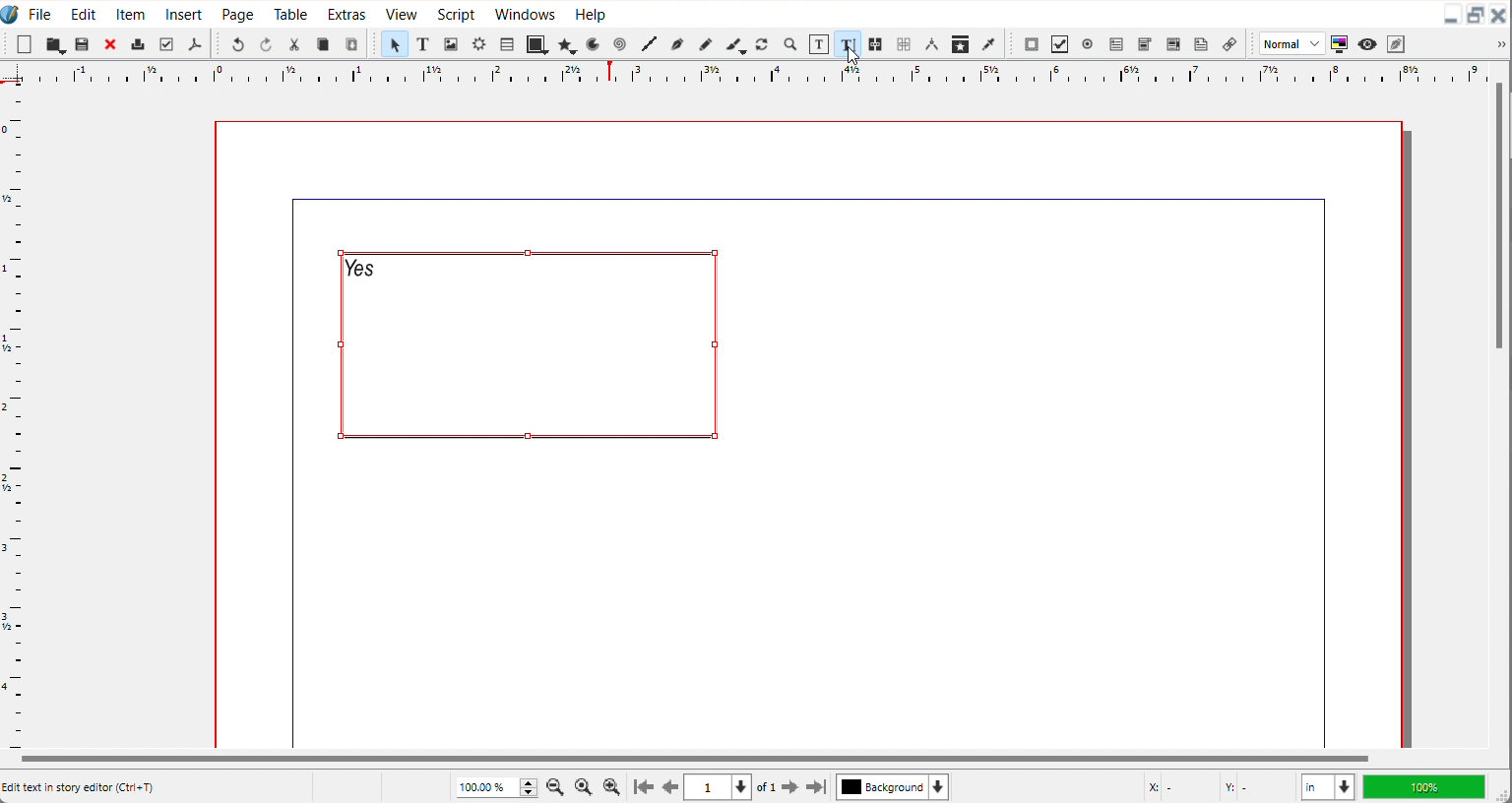  Describe the element at coordinates (931, 44) in the screenshot. I see `Measurements` at that location.